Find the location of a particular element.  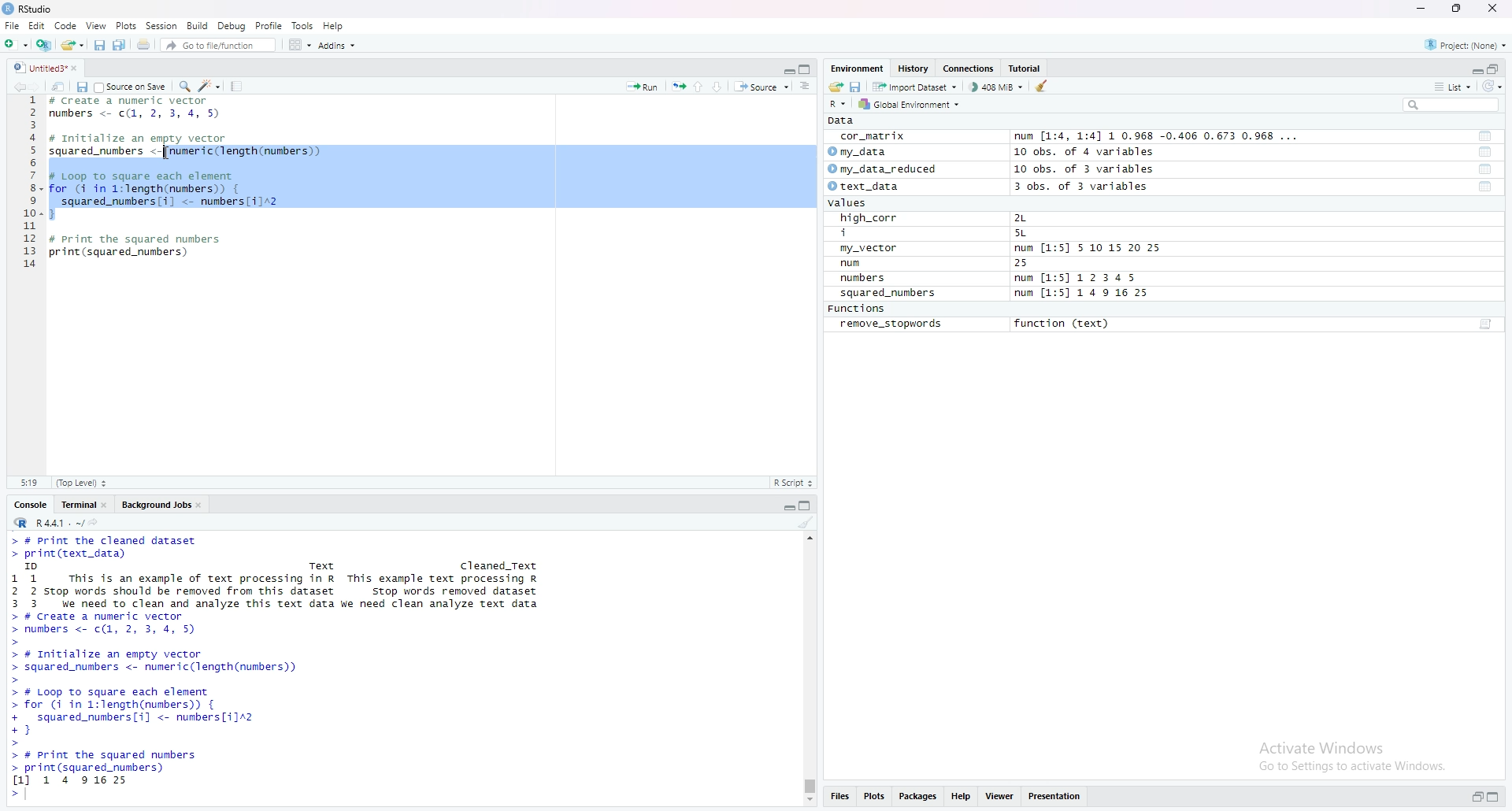

Viewer is located at coordinates (1000, 798).